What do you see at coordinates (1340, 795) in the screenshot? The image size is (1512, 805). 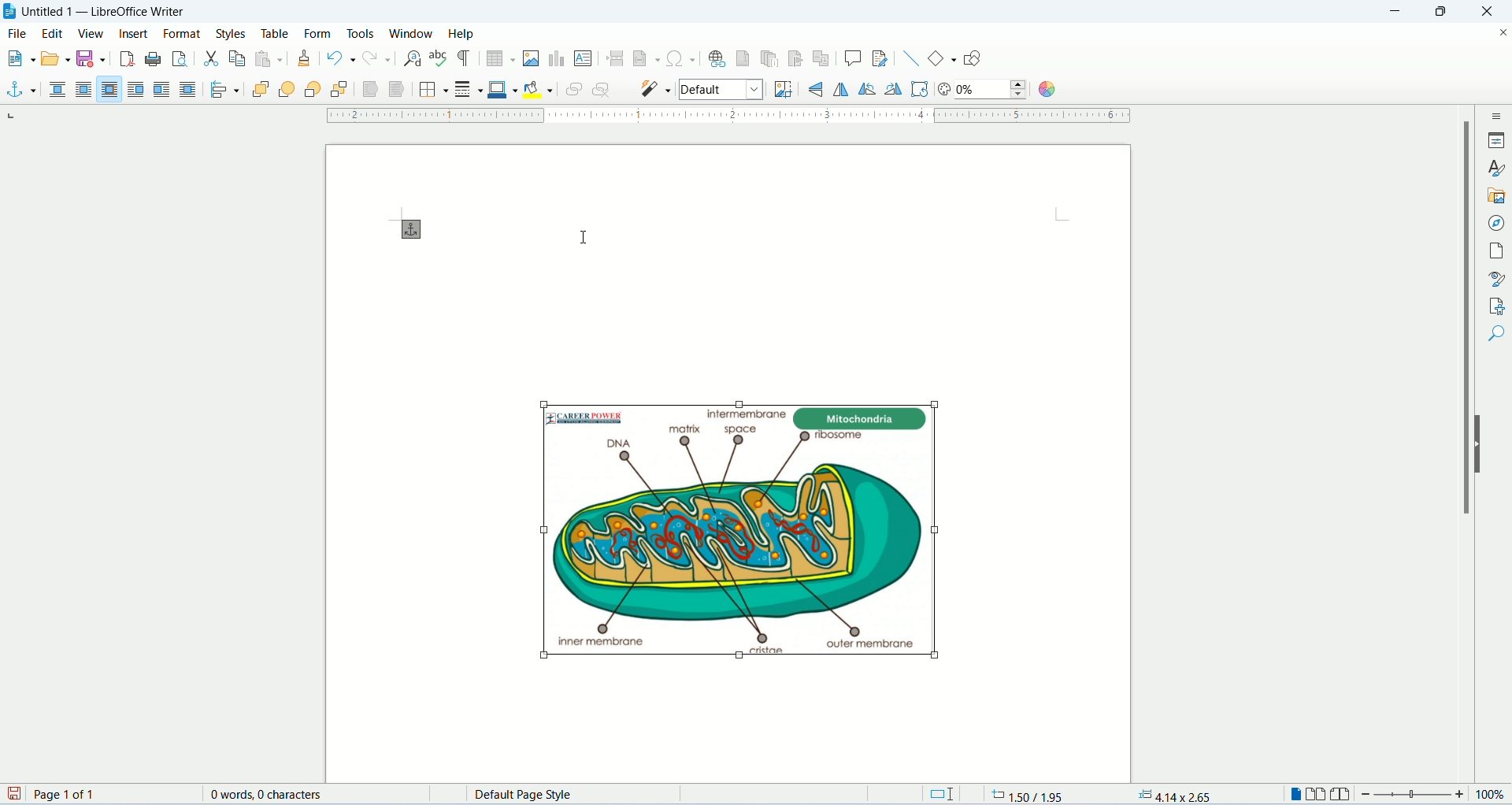 I see `book view` at bounding box center [1340, 795].